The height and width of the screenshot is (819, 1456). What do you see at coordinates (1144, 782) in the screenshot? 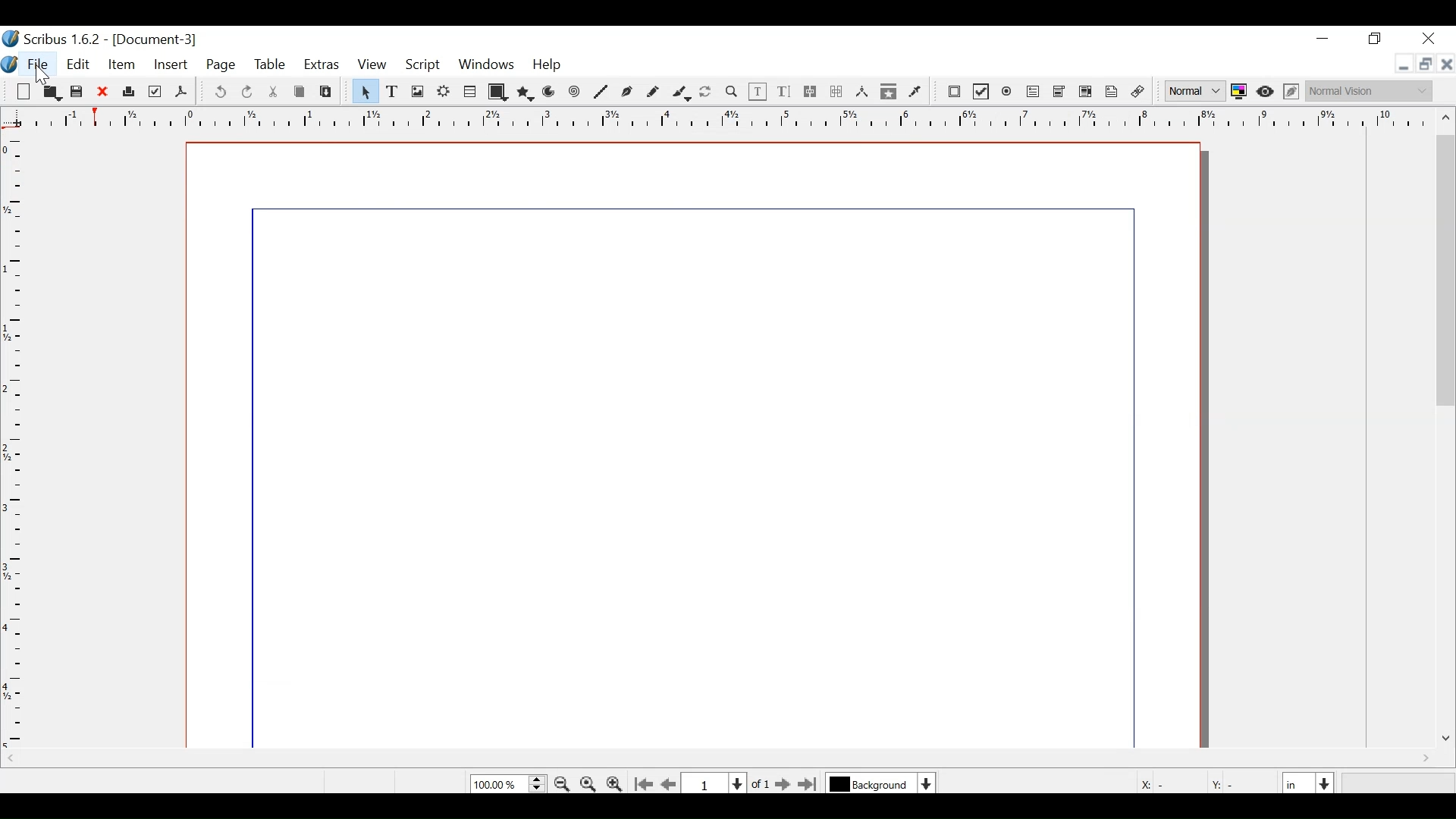
I see `X:` at bounding box center [1144, 782].